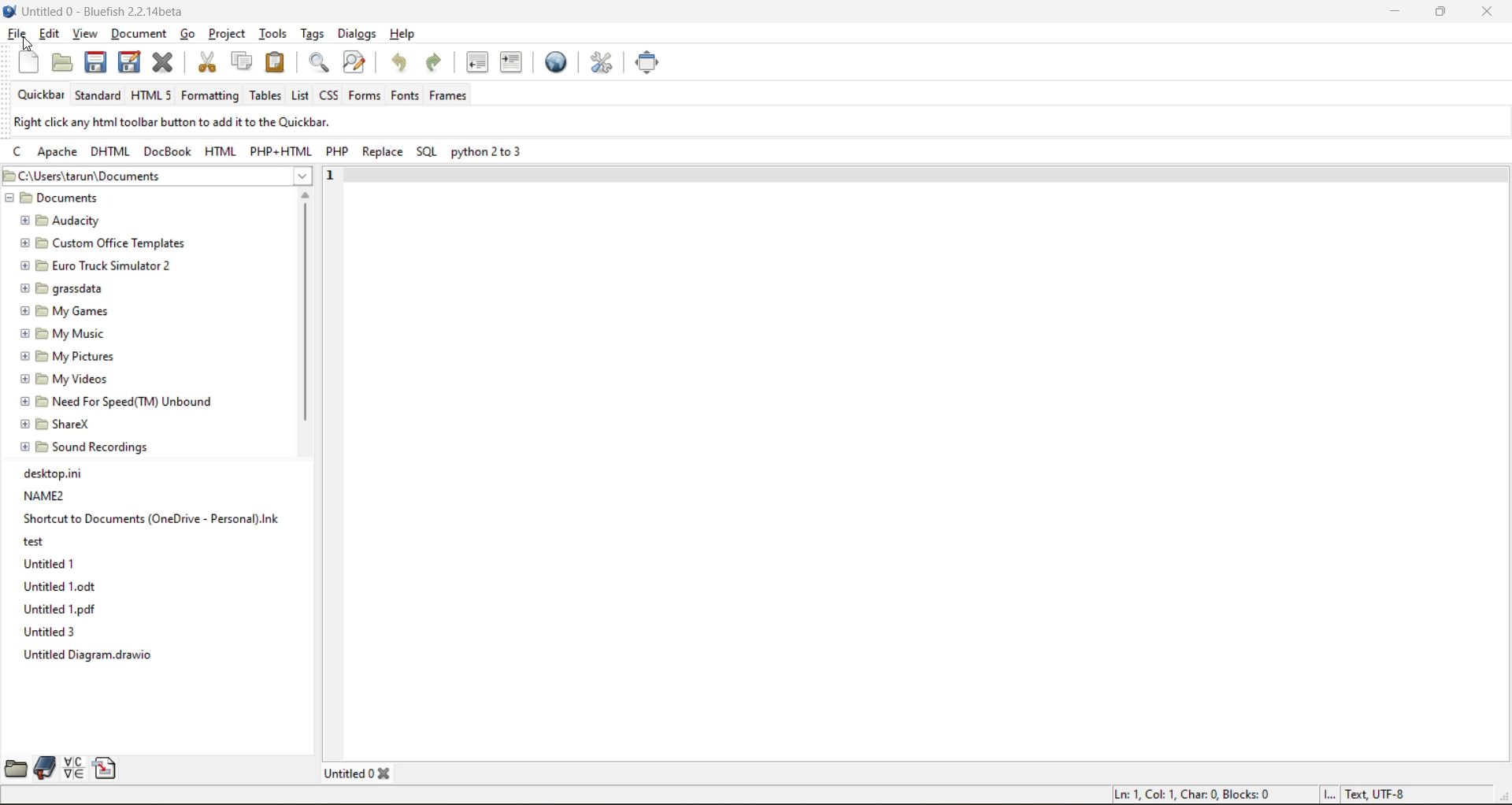 This screenshot has width=1512, height=805. Describe the element at coordinates (209, 62) in the screenshot. I see `cut` at that location.